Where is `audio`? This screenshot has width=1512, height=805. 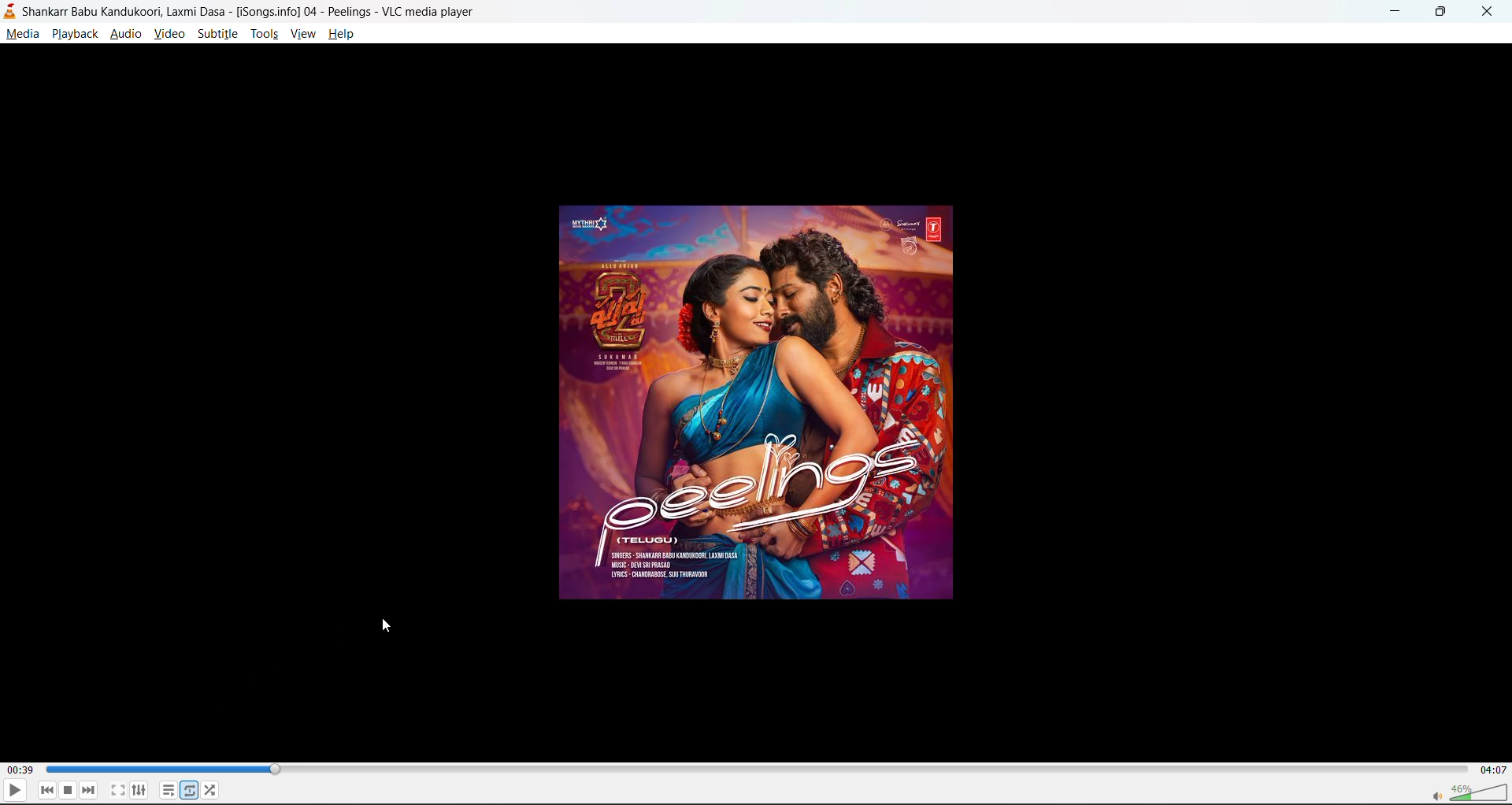 audio is located at coordinates (128, 35).